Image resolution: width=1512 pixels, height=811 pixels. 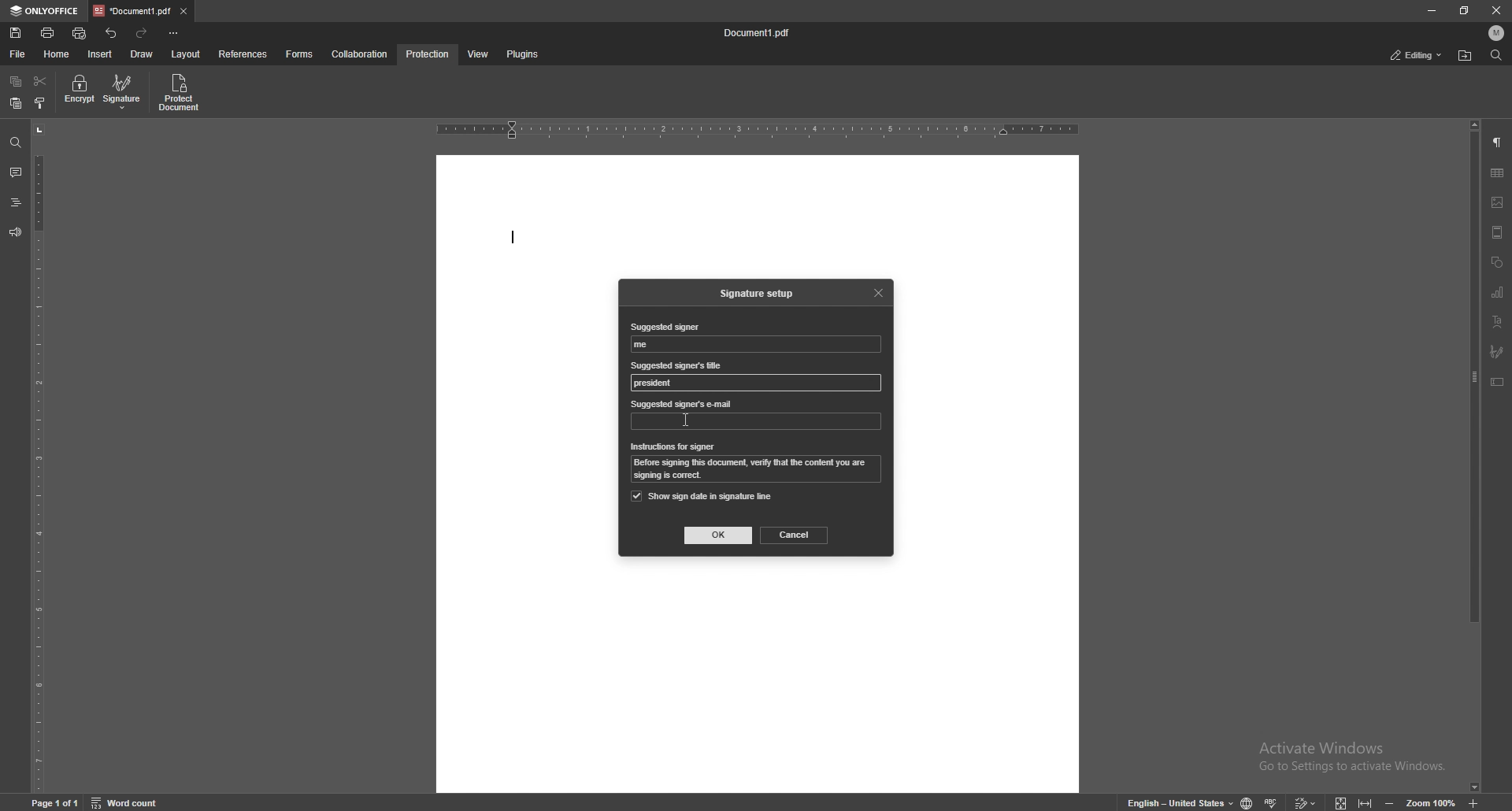 What do you see at coordinates (673, 447) in the screenshot?
I see `instrauctions for signer` at bounding box center [673, 447].